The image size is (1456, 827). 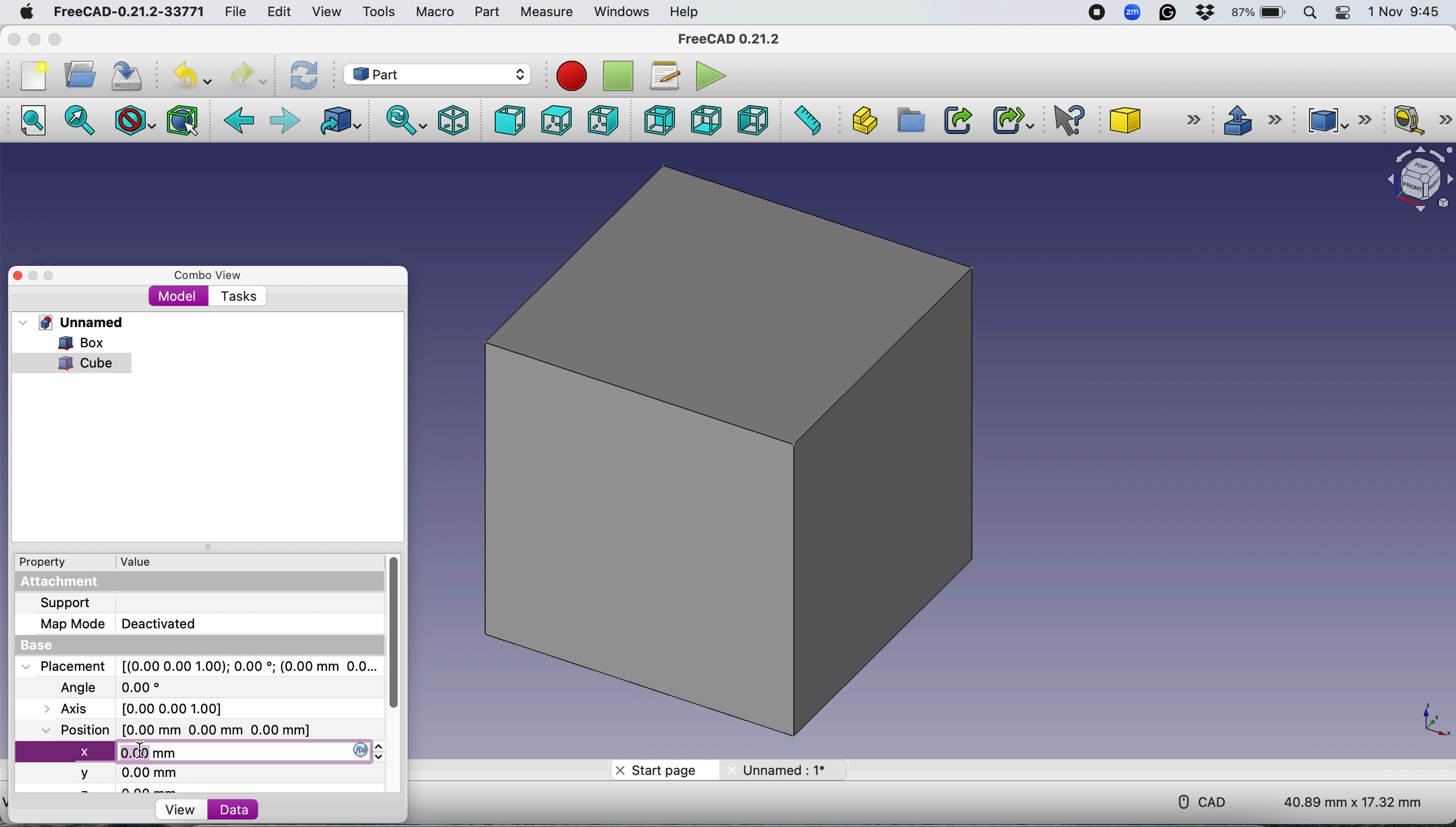 I want to click on cursor, so click(x=143, y=753).